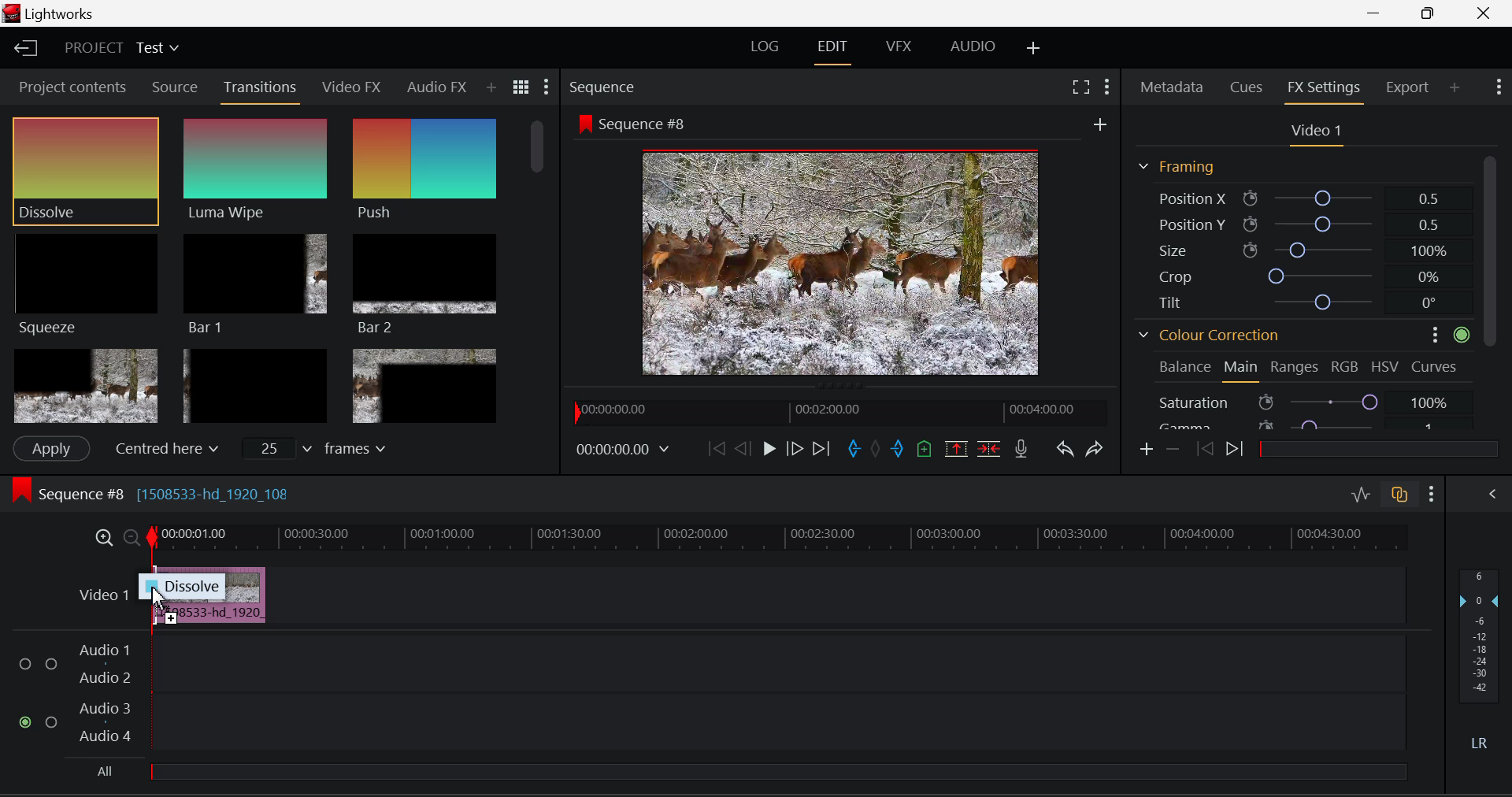 This screenshot has width=1512, height=797. Describe the element at coordinates (715, 451) in the screenshot. I see `To Start` at that location.